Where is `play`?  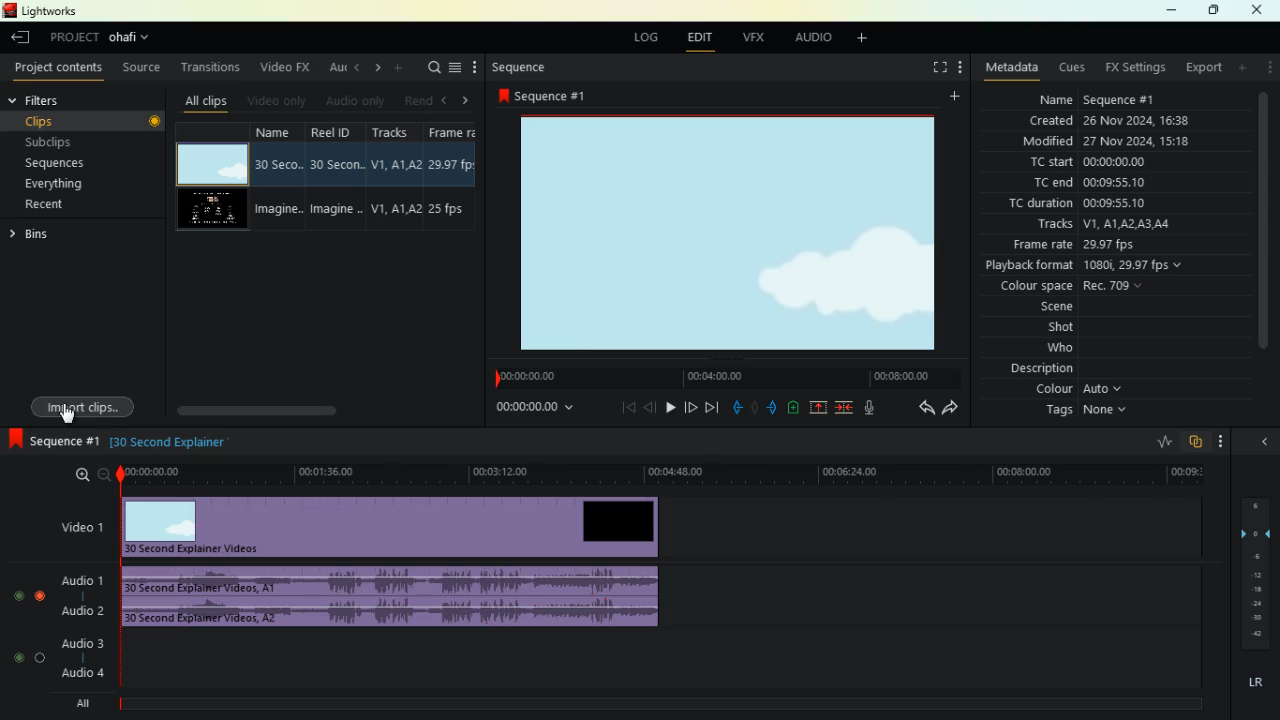
play is located at coordinates (670, 406).